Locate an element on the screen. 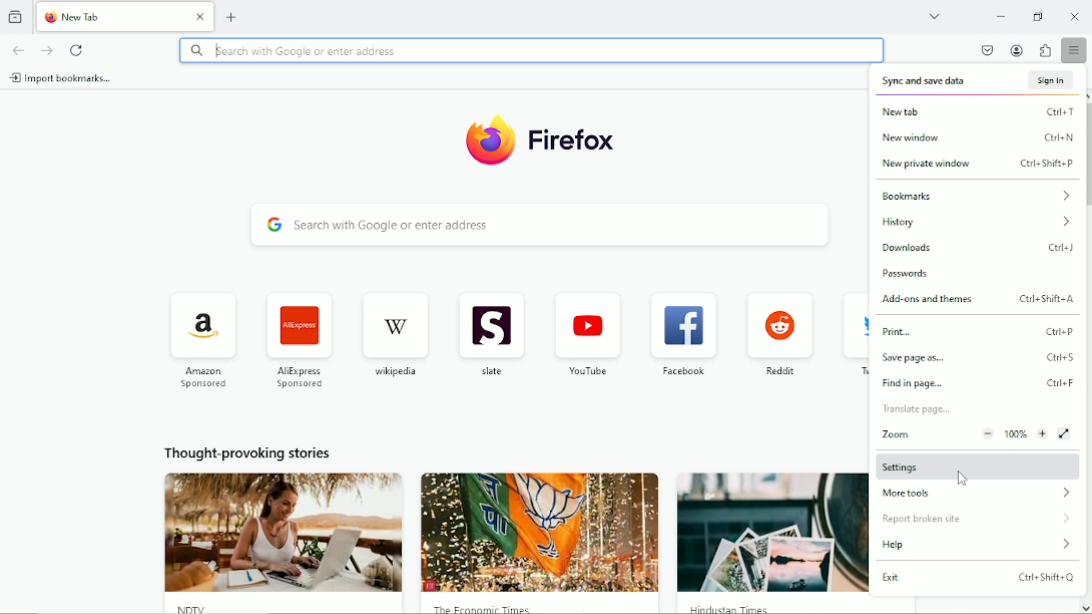  sync and save data is located at coordinates (975, 81).